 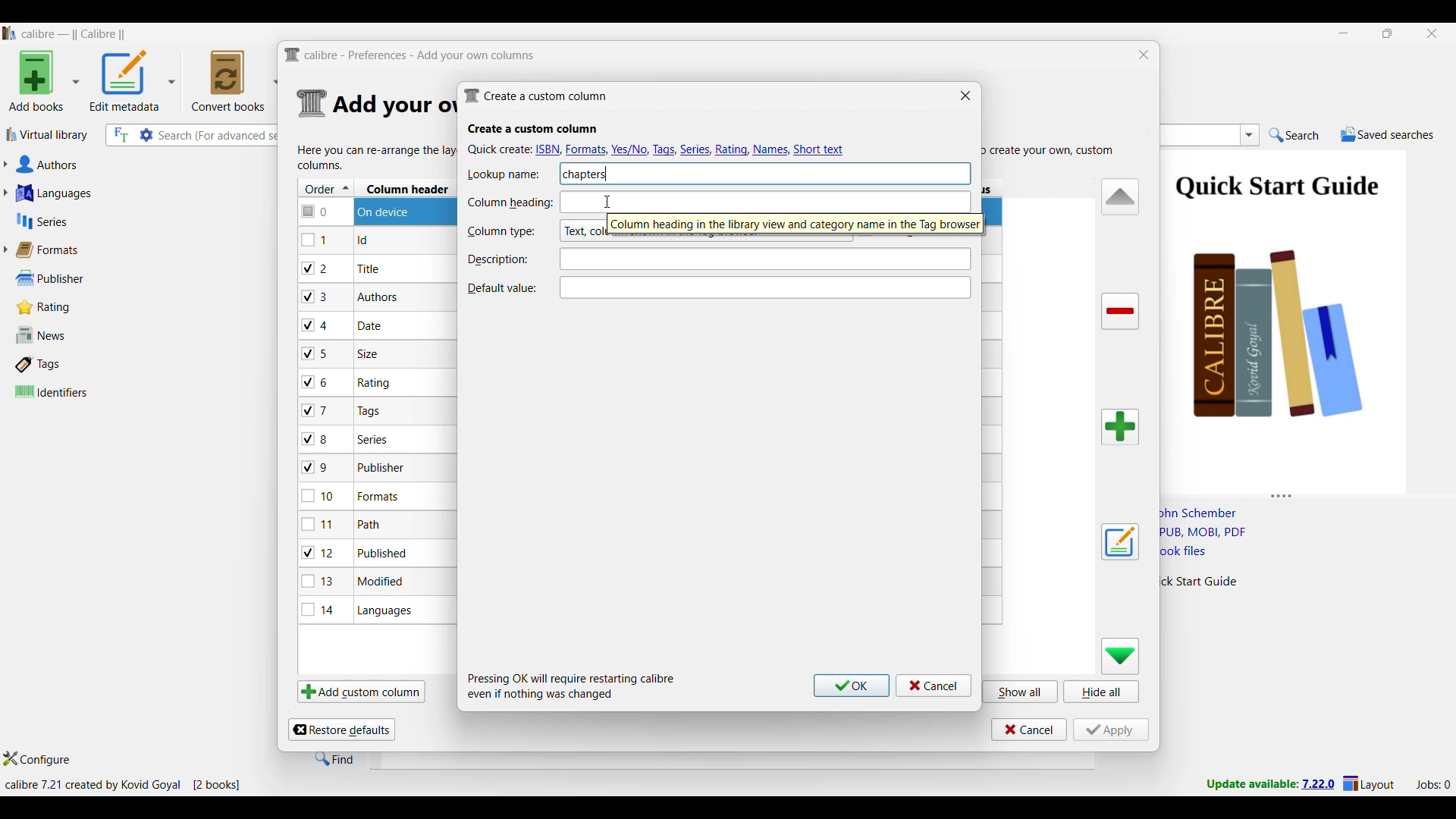 What do you see at coordinates (318, 581) in the screenshot?
I see `checkbox - 13` at bounding box center [318, 581].